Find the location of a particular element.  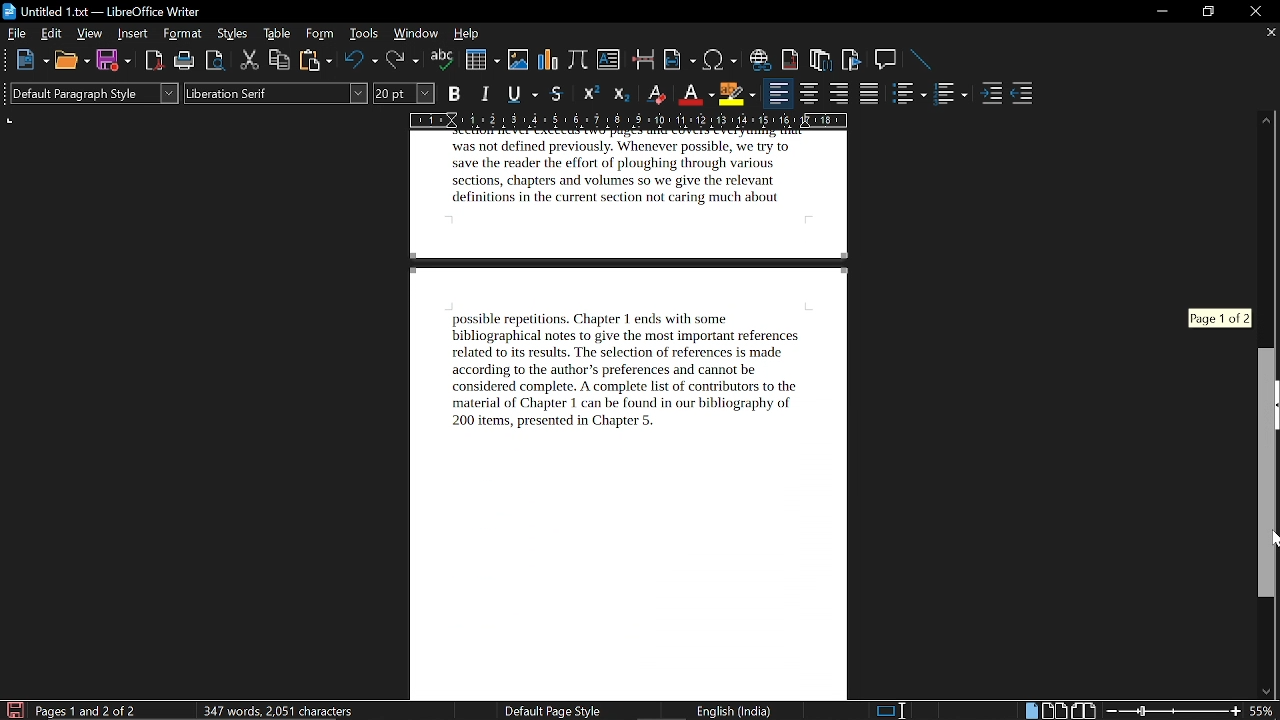

strikethrough is located at coordinates (556, 94).